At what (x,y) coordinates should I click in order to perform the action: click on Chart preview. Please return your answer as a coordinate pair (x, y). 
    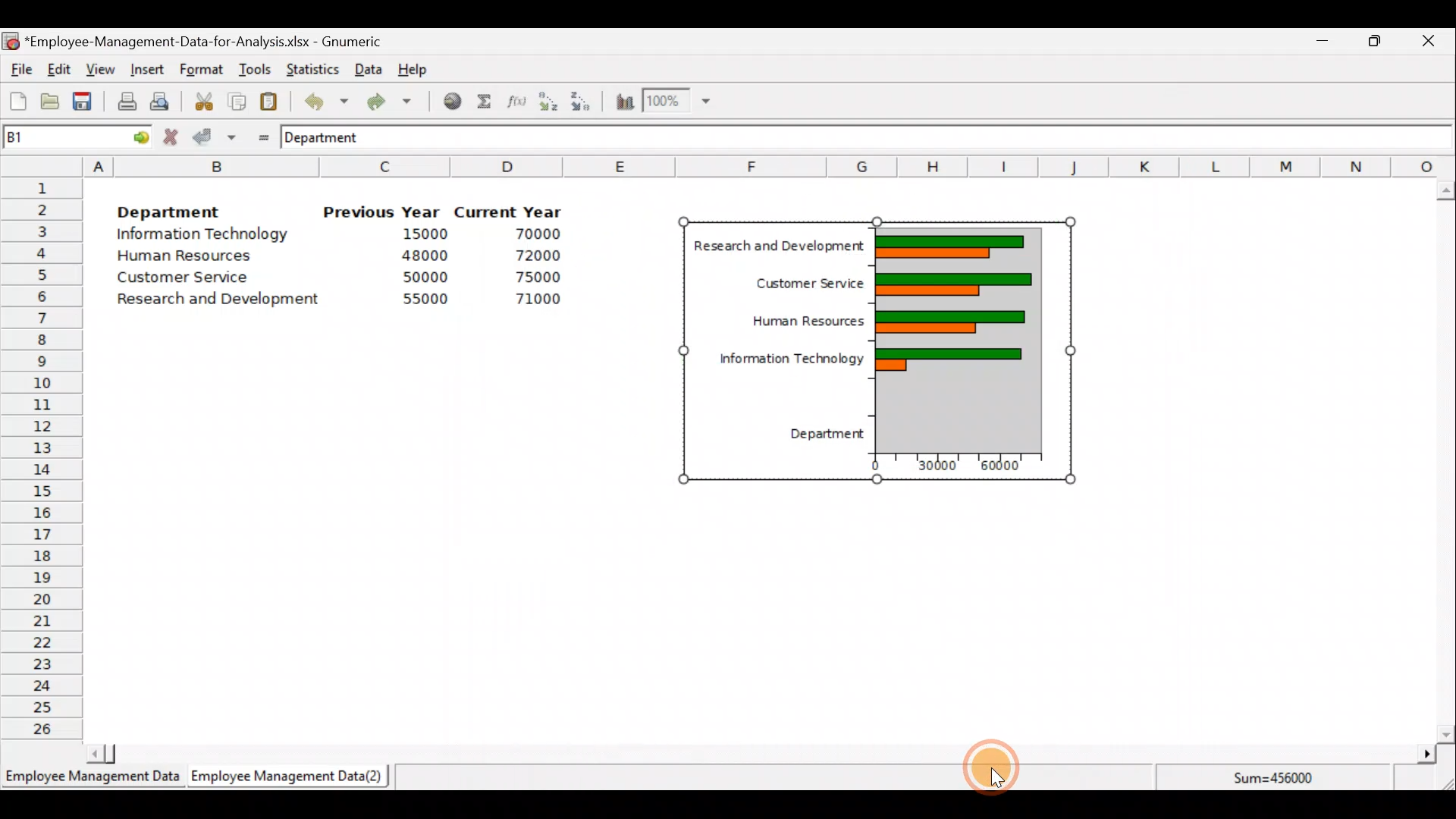
    Looking at the image, I should click on (961, 339).